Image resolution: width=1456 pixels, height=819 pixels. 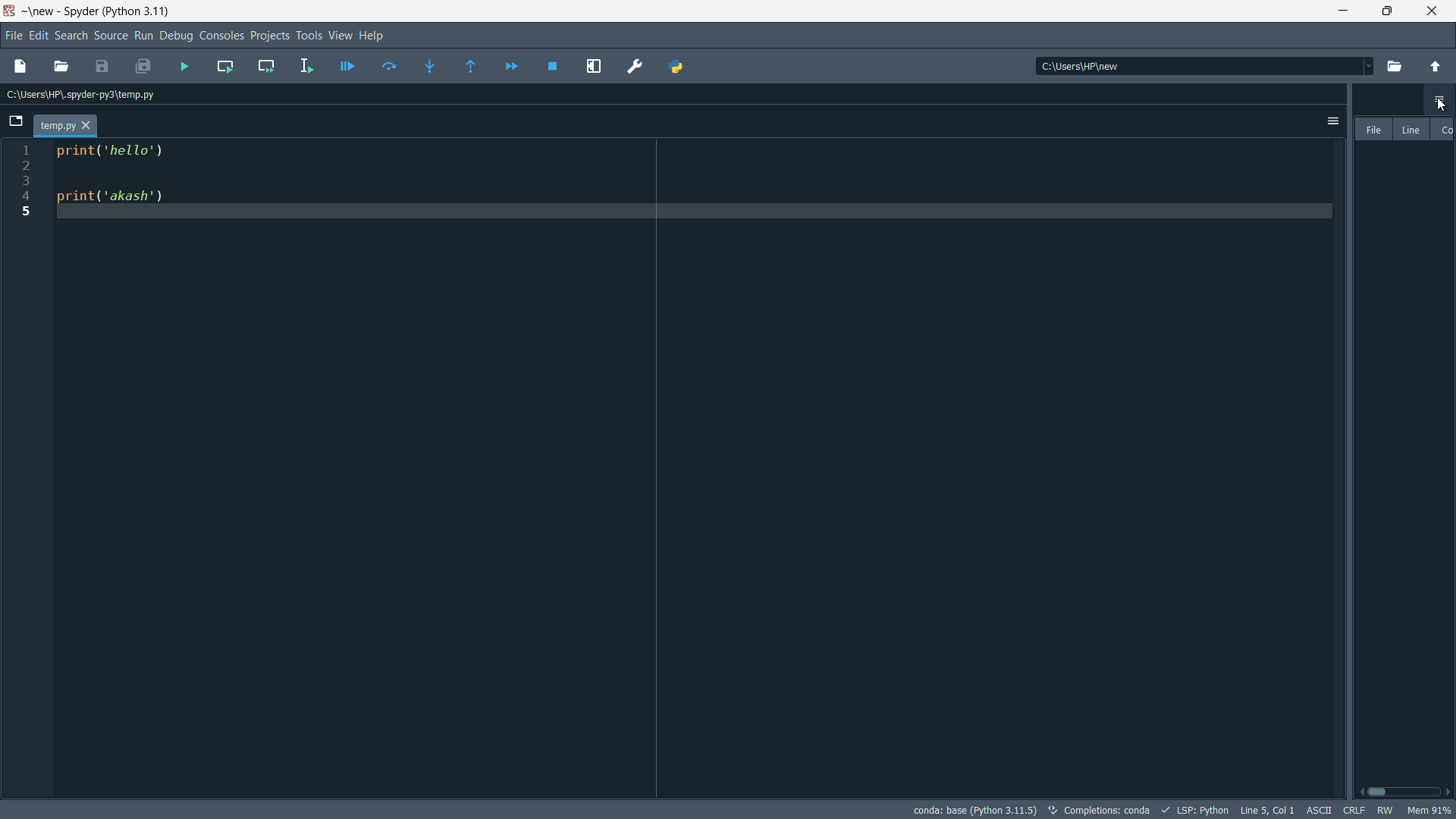 What do you see at coordinates (429, 66) in the screenshot?
I see `step into function` at bounding box center [429, 66].